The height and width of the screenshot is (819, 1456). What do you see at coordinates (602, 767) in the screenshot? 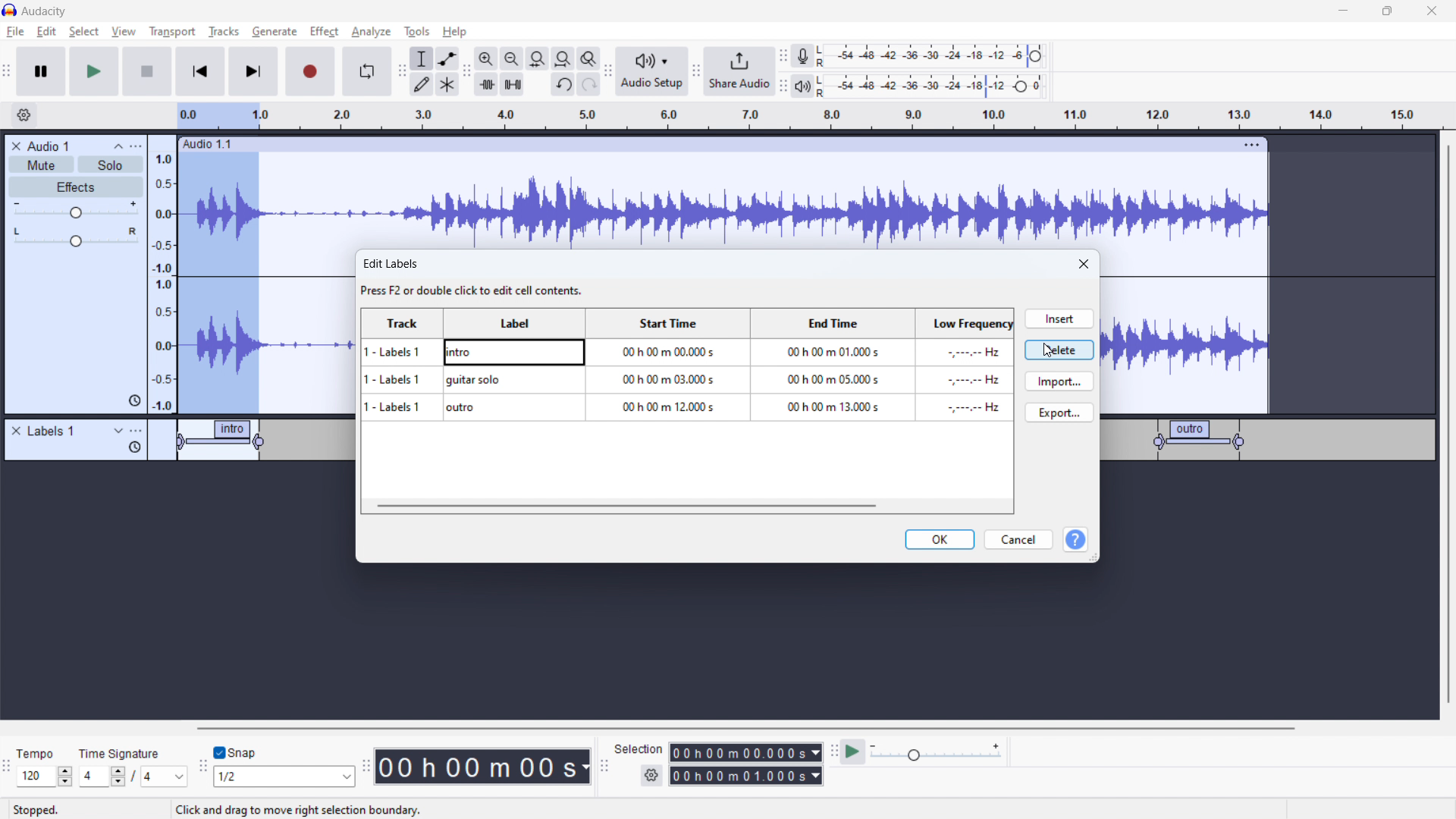
I see `selection toolbar` at bounding box center [602, 767].